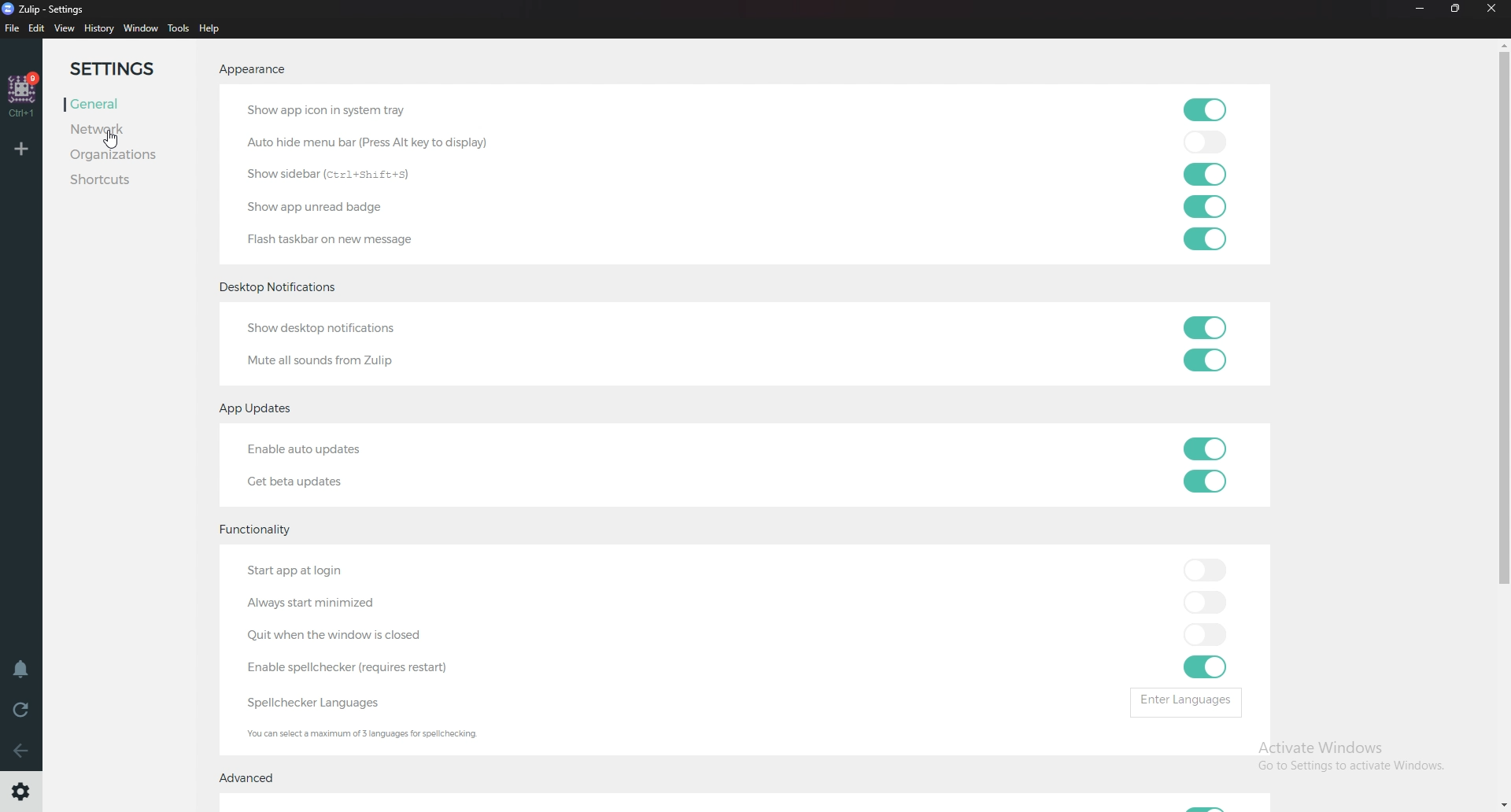 This screenshot has height=812, width=1511. What do you see at coordinates (18, 750) in the screenshot?
I see `Back` at bounding box center [18, 750].